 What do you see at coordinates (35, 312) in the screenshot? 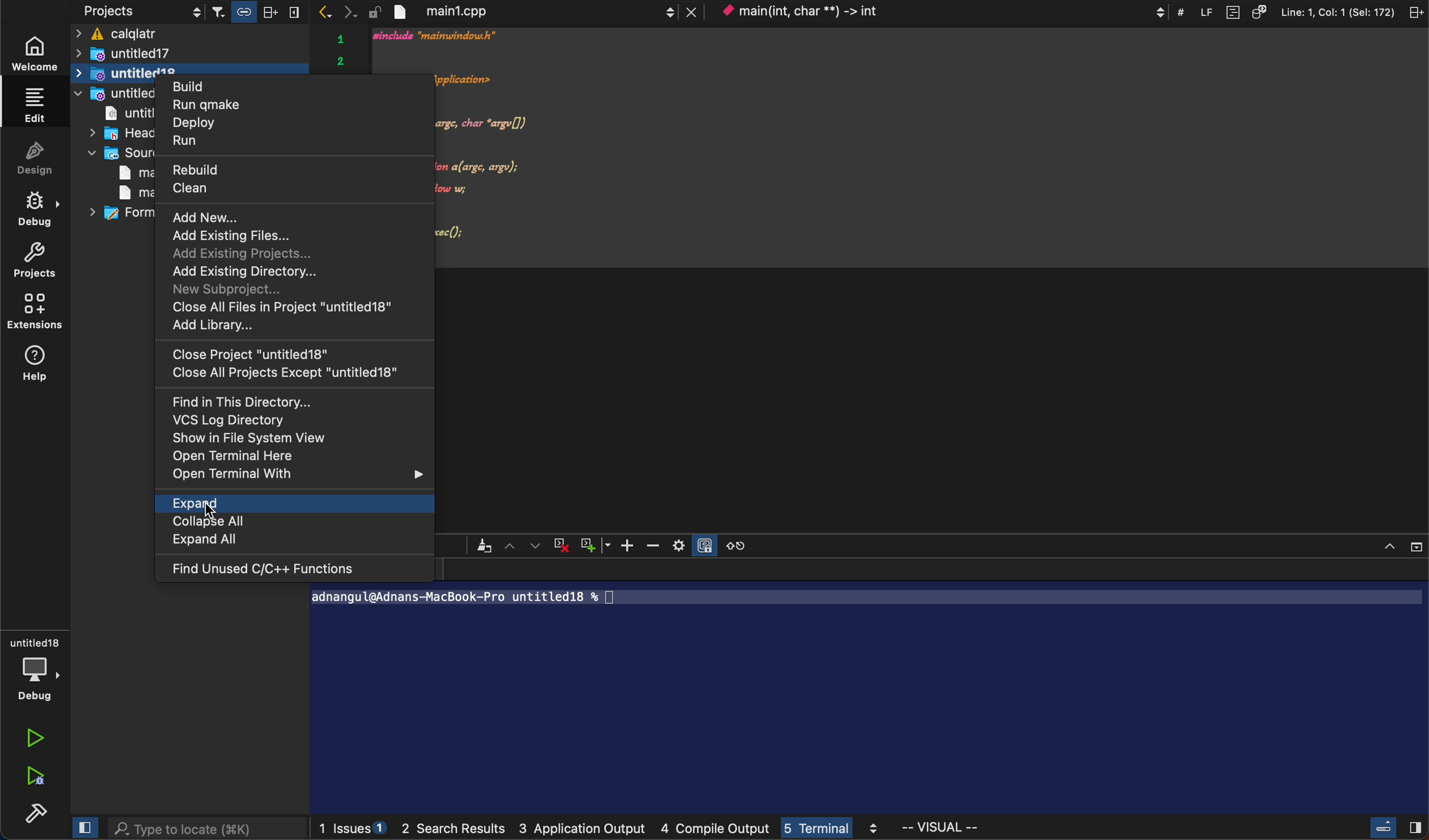
I see `extensions` at bounding box center [35, 312].